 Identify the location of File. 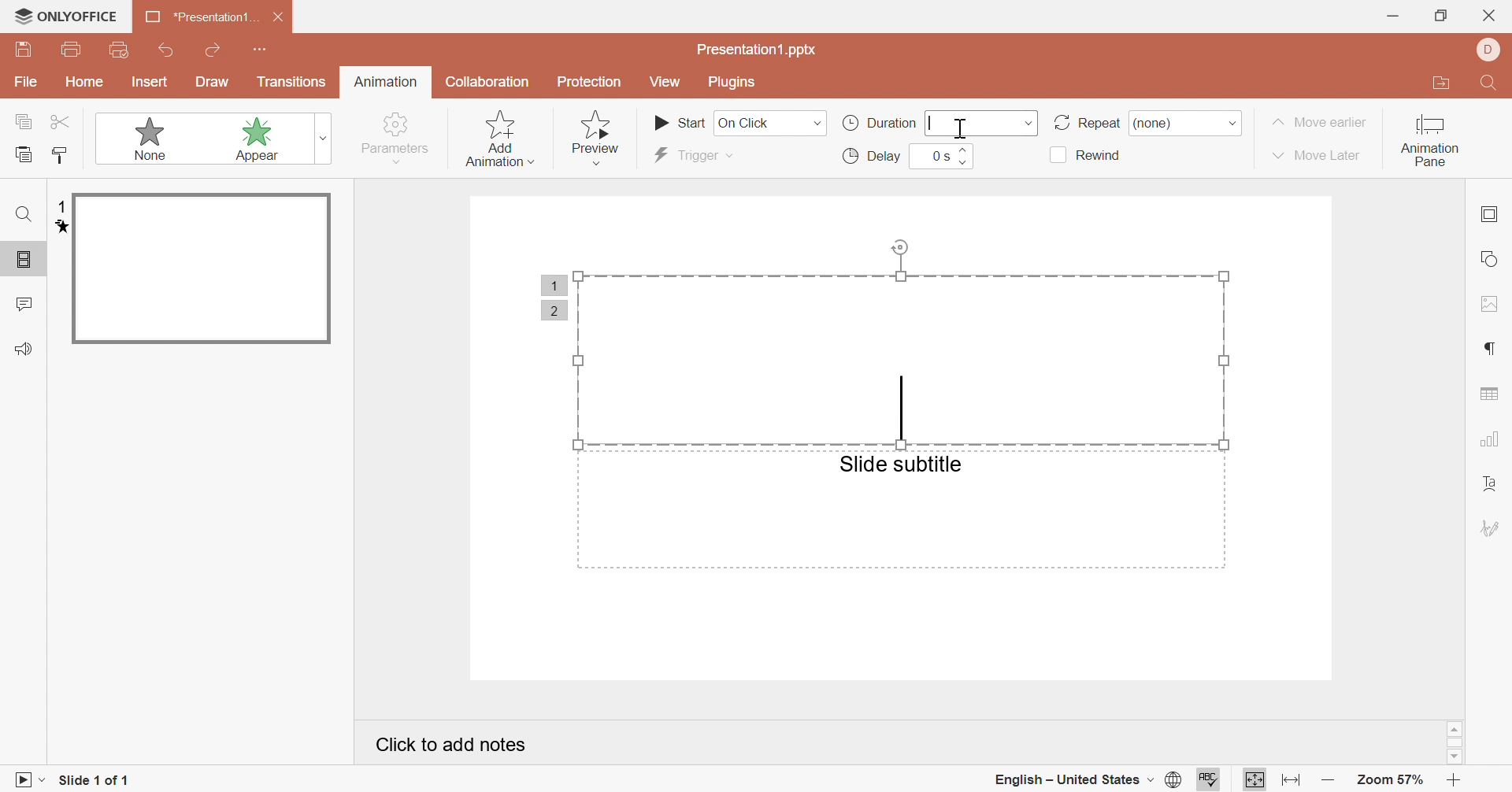
(27, 82).